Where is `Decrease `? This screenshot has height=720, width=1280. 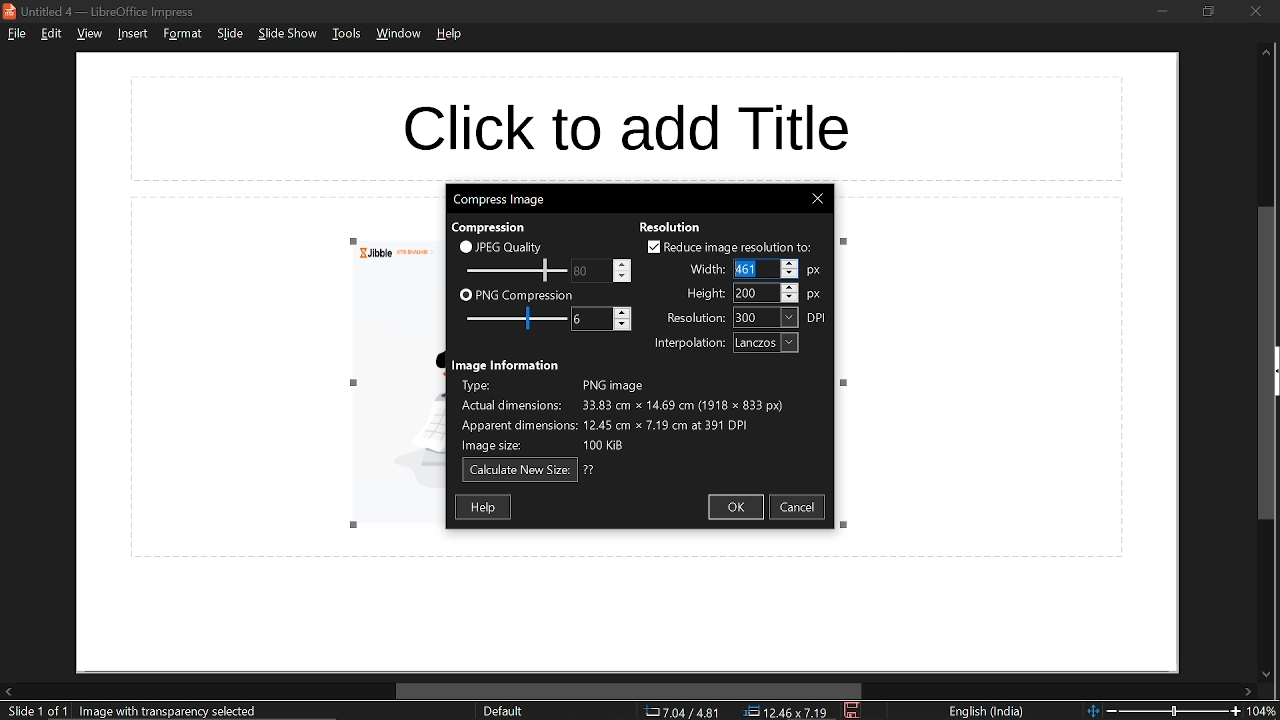
Decrease  is located at coordinates (791, 298).